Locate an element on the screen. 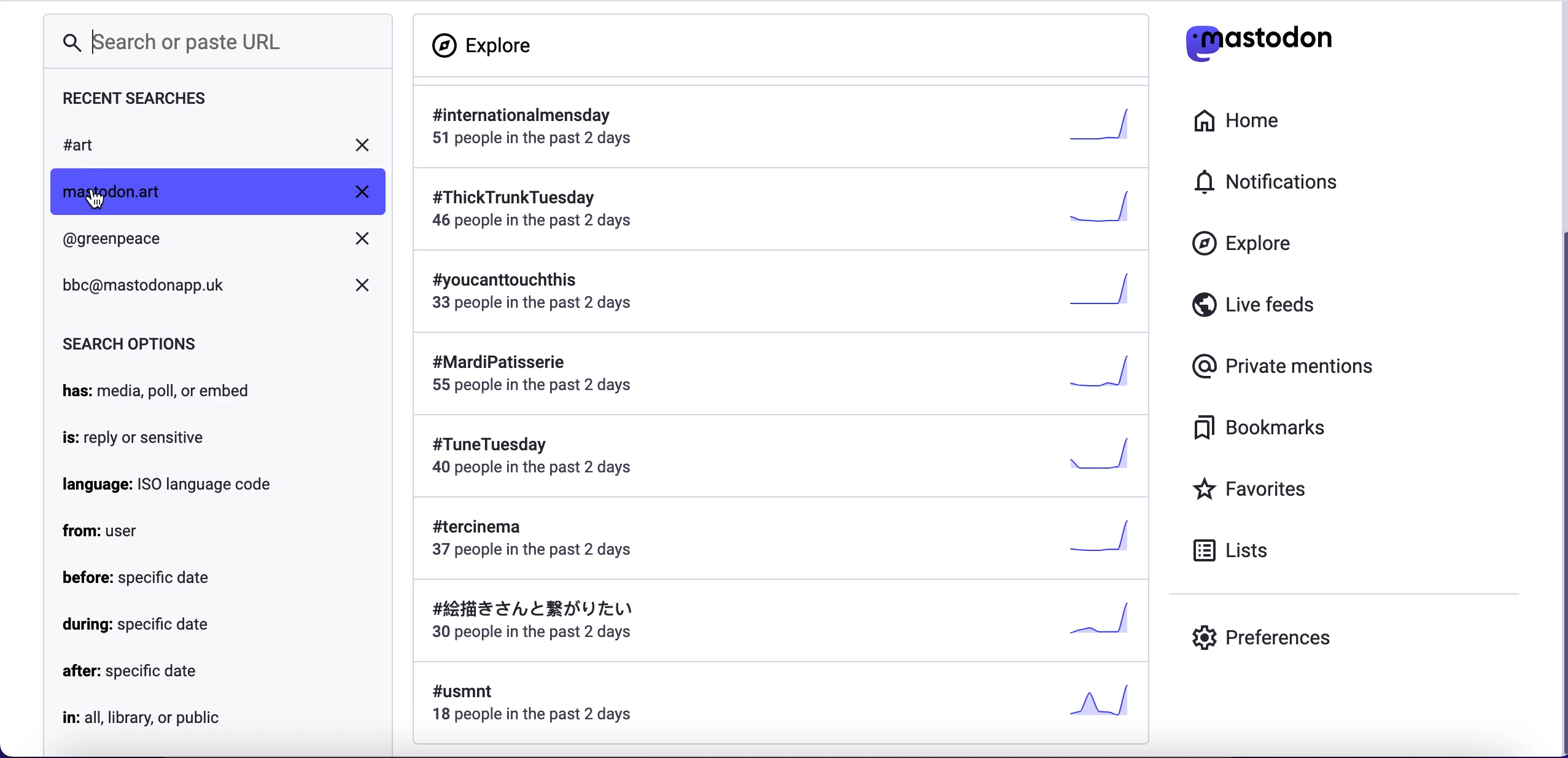 This screenshot has width=1568, height=758. before: specific dat is located at coordinates (140, 577).